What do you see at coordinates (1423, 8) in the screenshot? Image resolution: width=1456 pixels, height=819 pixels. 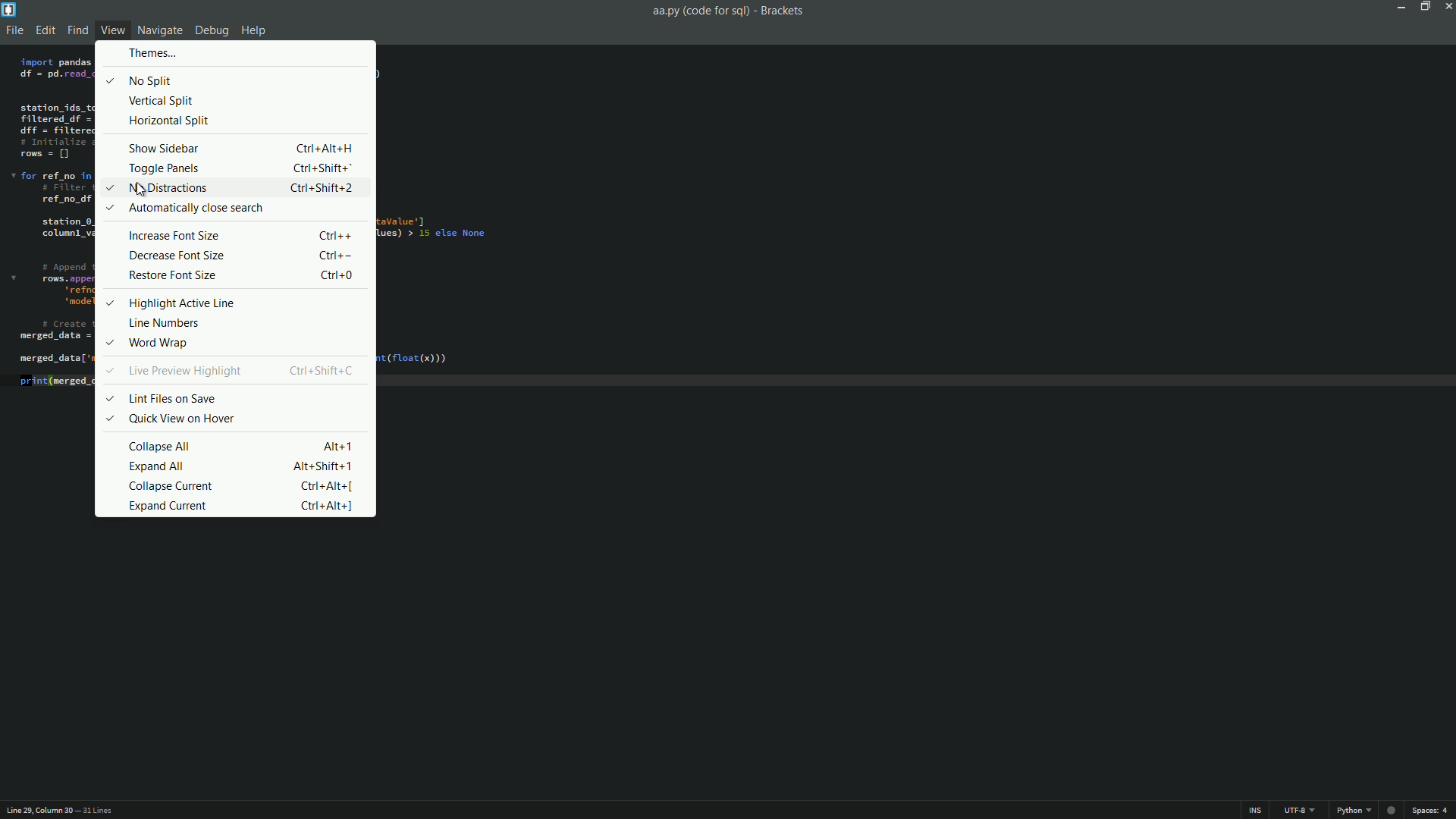 I see `maximize button` at bounding box center [1423, 8].